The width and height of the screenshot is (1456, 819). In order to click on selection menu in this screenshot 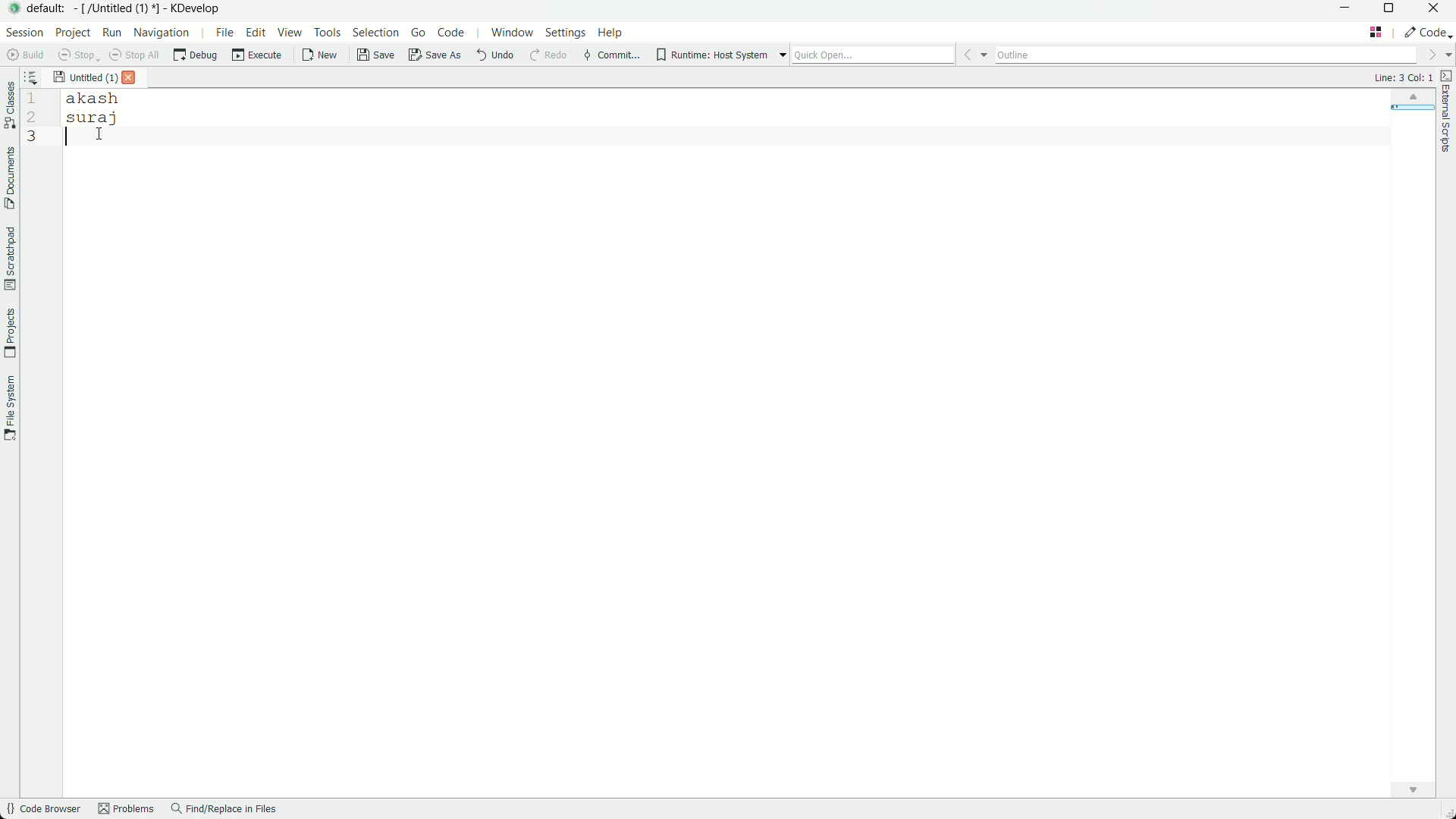, I will do `click(378, 34)`.